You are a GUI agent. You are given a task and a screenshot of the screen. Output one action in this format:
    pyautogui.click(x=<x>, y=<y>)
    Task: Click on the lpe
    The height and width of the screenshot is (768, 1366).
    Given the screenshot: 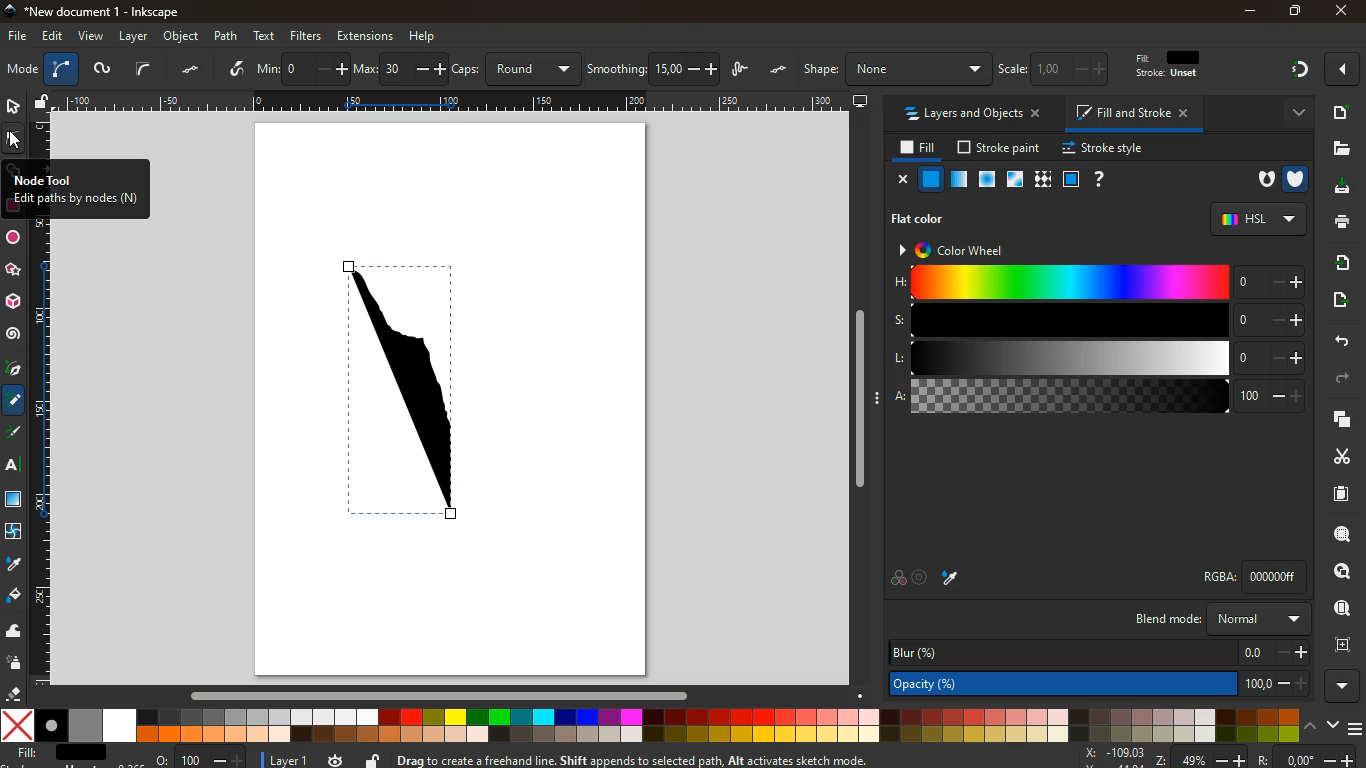 What is the action you would take?
    pyautogui.click(x=238, y=72)
    